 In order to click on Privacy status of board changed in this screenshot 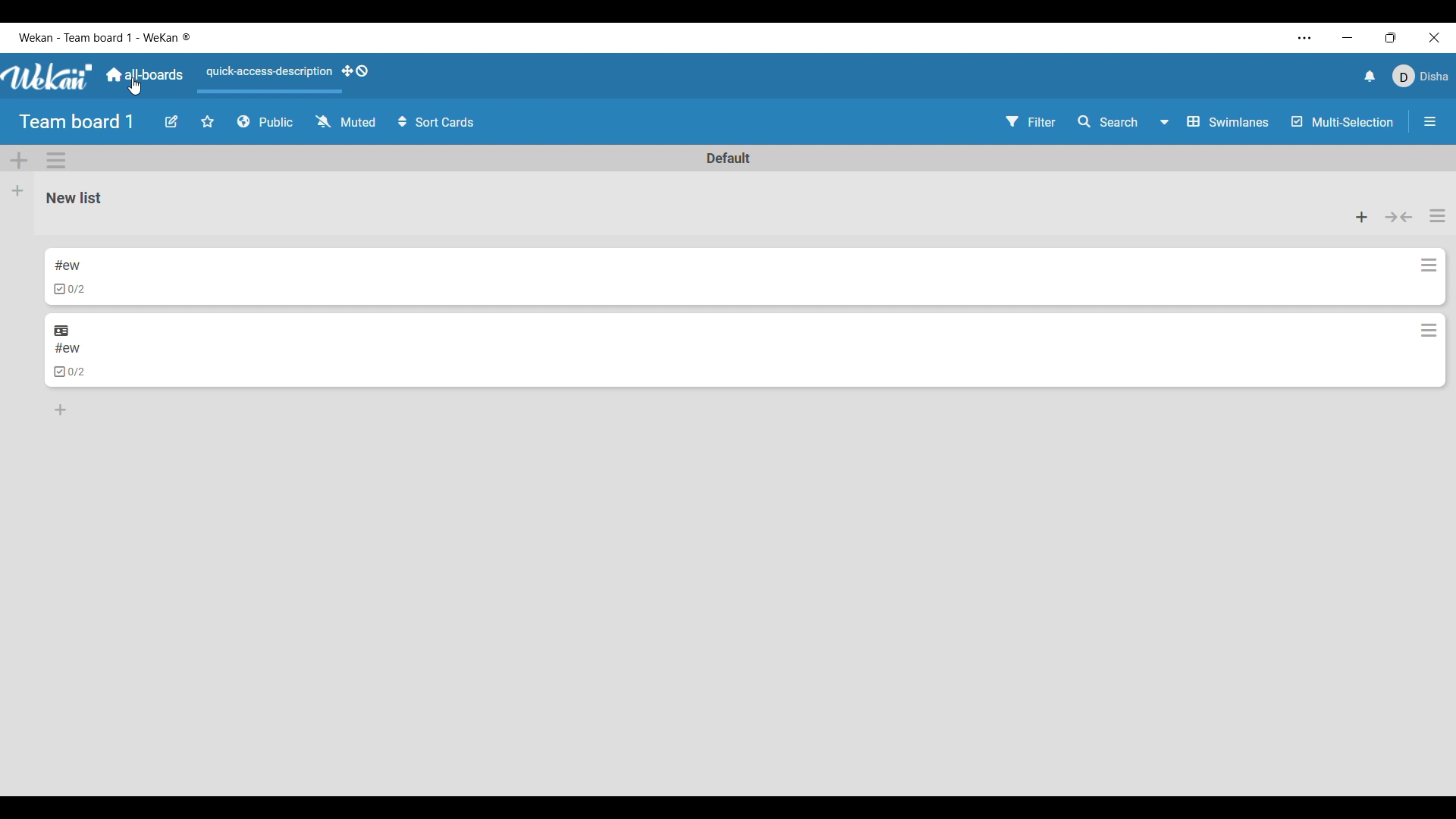, I will do `click(265, 122)`.